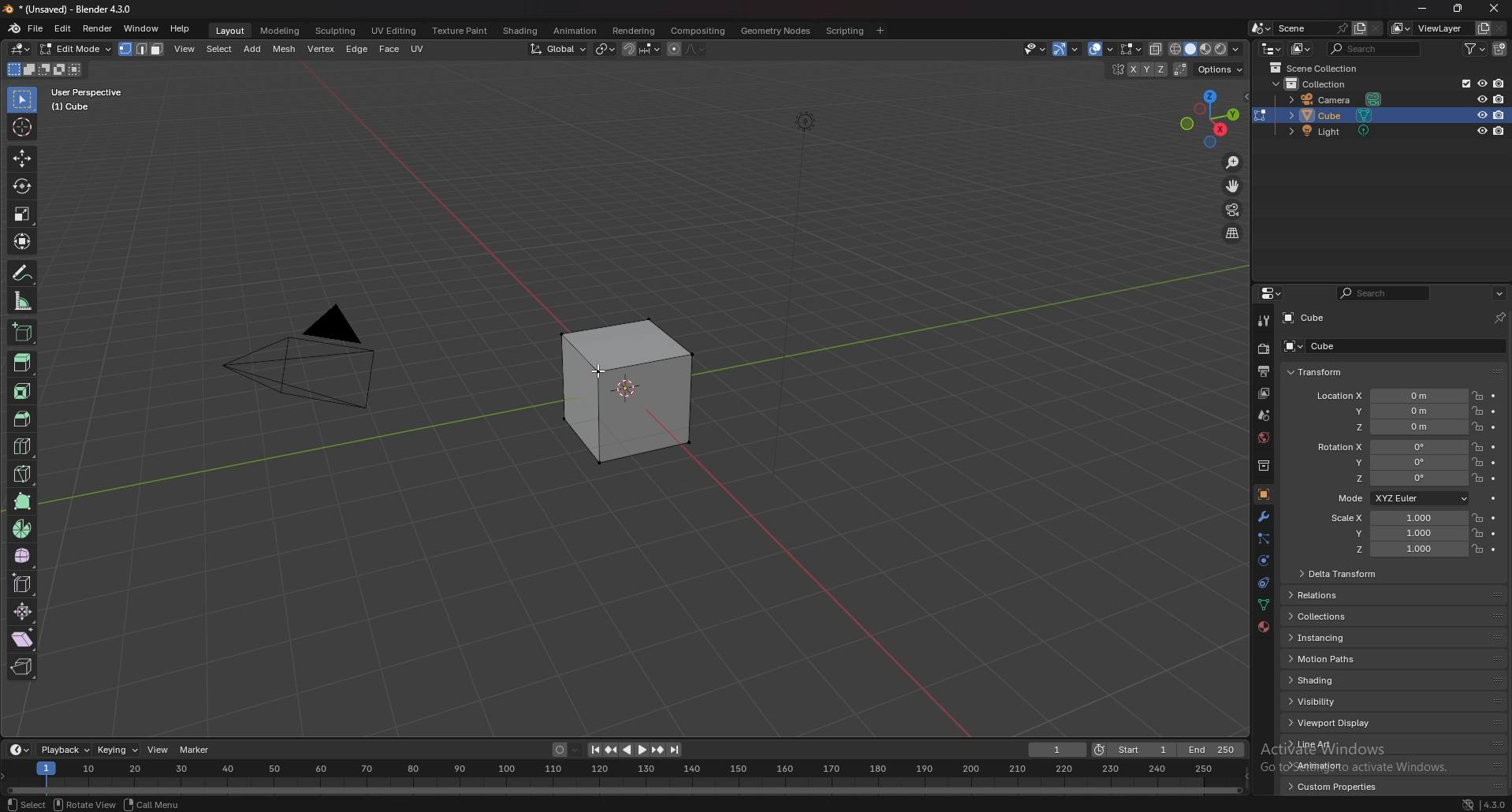 Image resolution: width=1512 pixels, height=812 pixels. What do you see at coordinates (1237, 50) in the screenshot?
I see `shading` at bounding box center [1237, 50].